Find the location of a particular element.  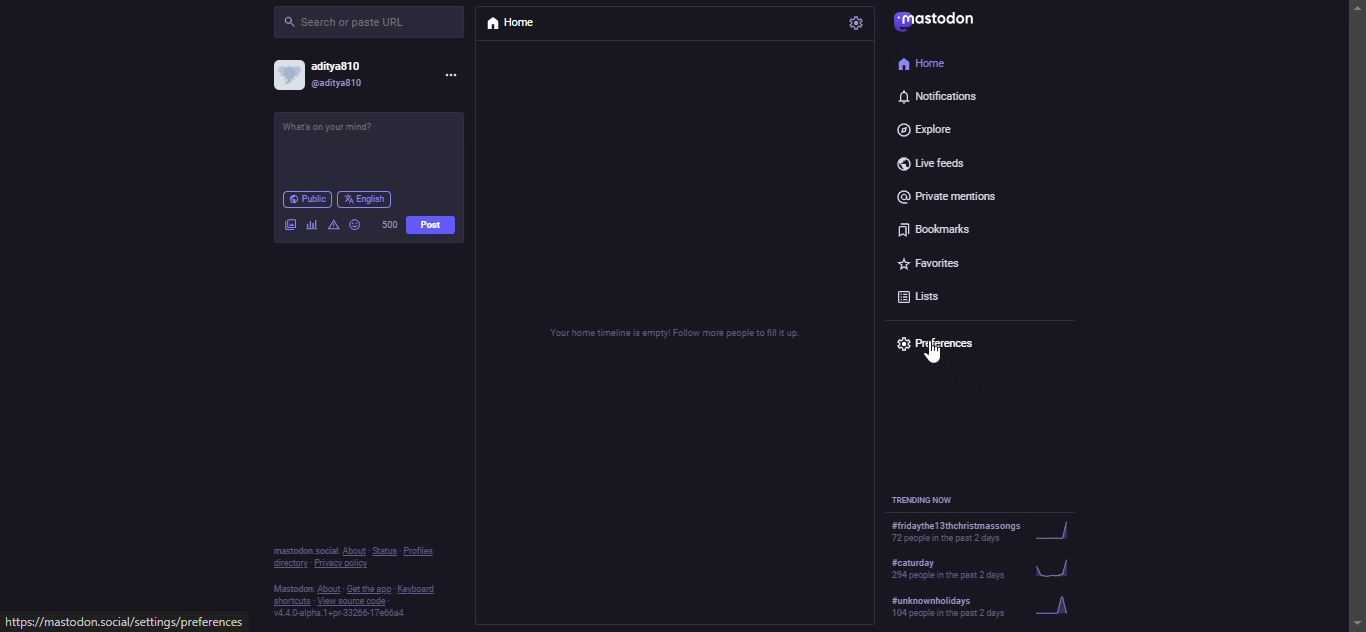

home timeline is located at coordinates (677, 332).